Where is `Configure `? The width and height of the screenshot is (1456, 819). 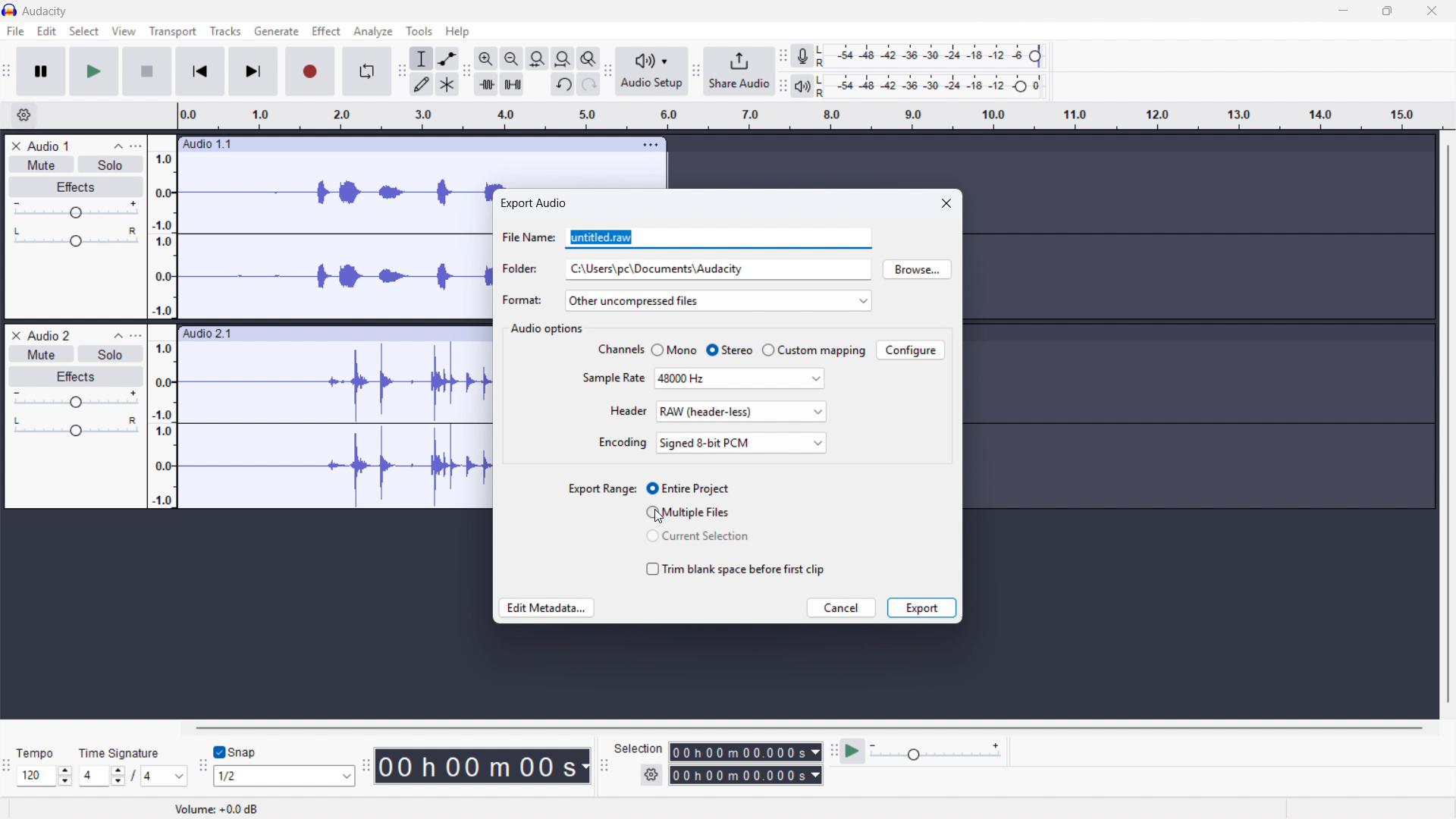
Configure  is located at coordinates (911, 350).